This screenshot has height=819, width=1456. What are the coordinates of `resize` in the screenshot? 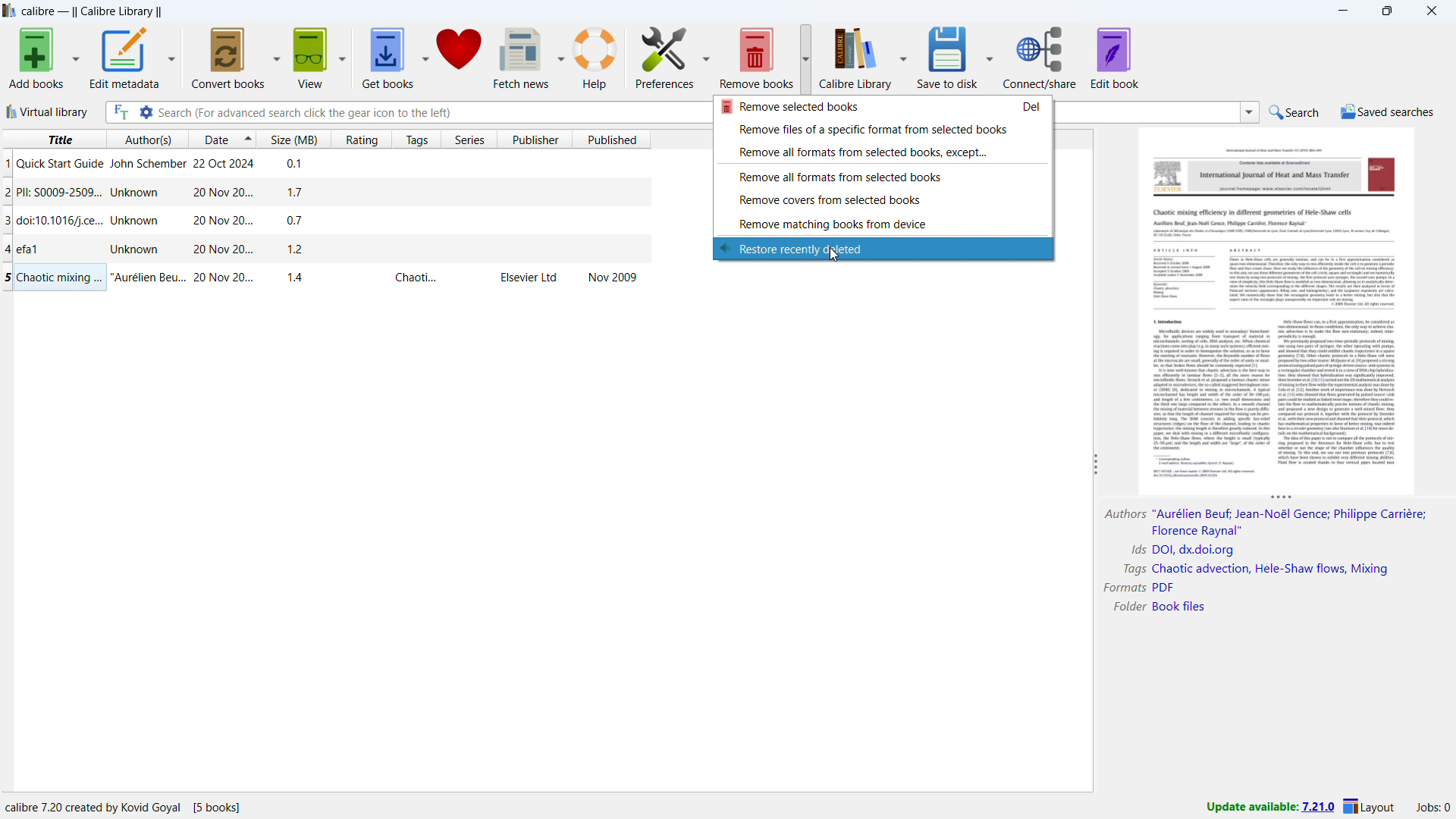 It's located at (1282, 498).